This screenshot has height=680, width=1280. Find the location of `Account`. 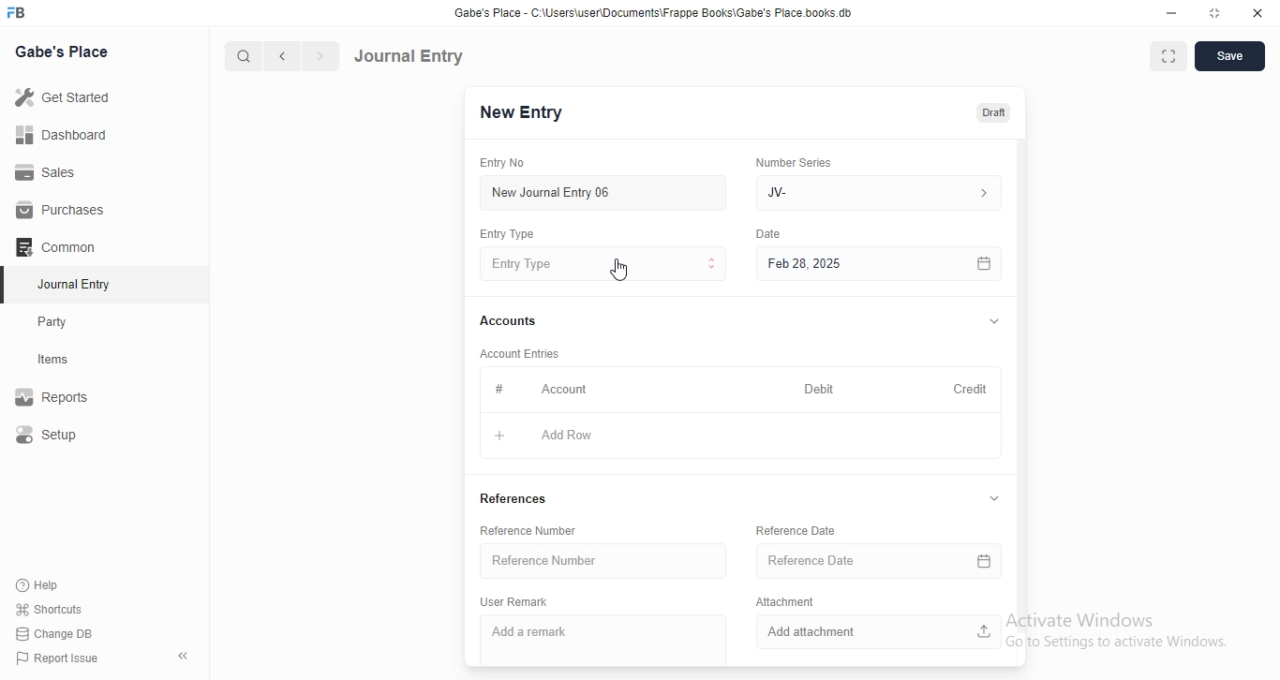

Account is located at coordinates (549, 391).